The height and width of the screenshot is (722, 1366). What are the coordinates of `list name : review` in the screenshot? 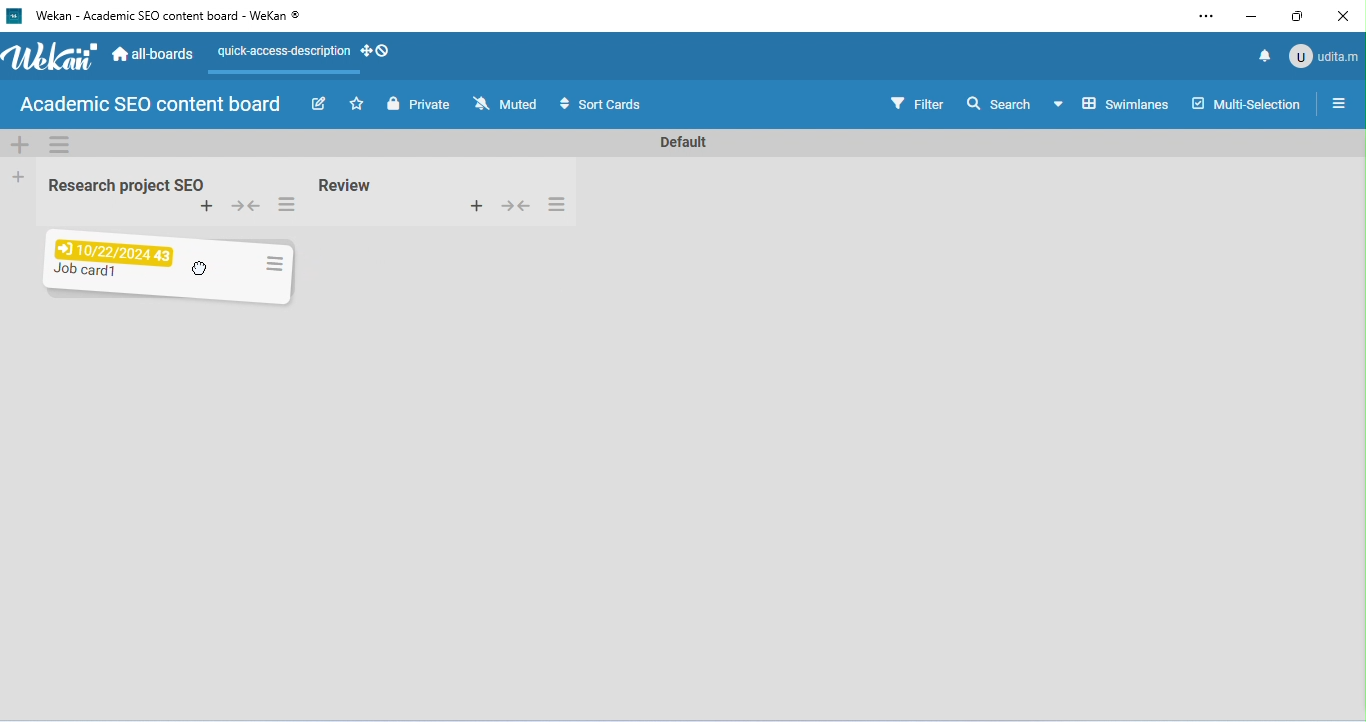 It's located at (346, 185).